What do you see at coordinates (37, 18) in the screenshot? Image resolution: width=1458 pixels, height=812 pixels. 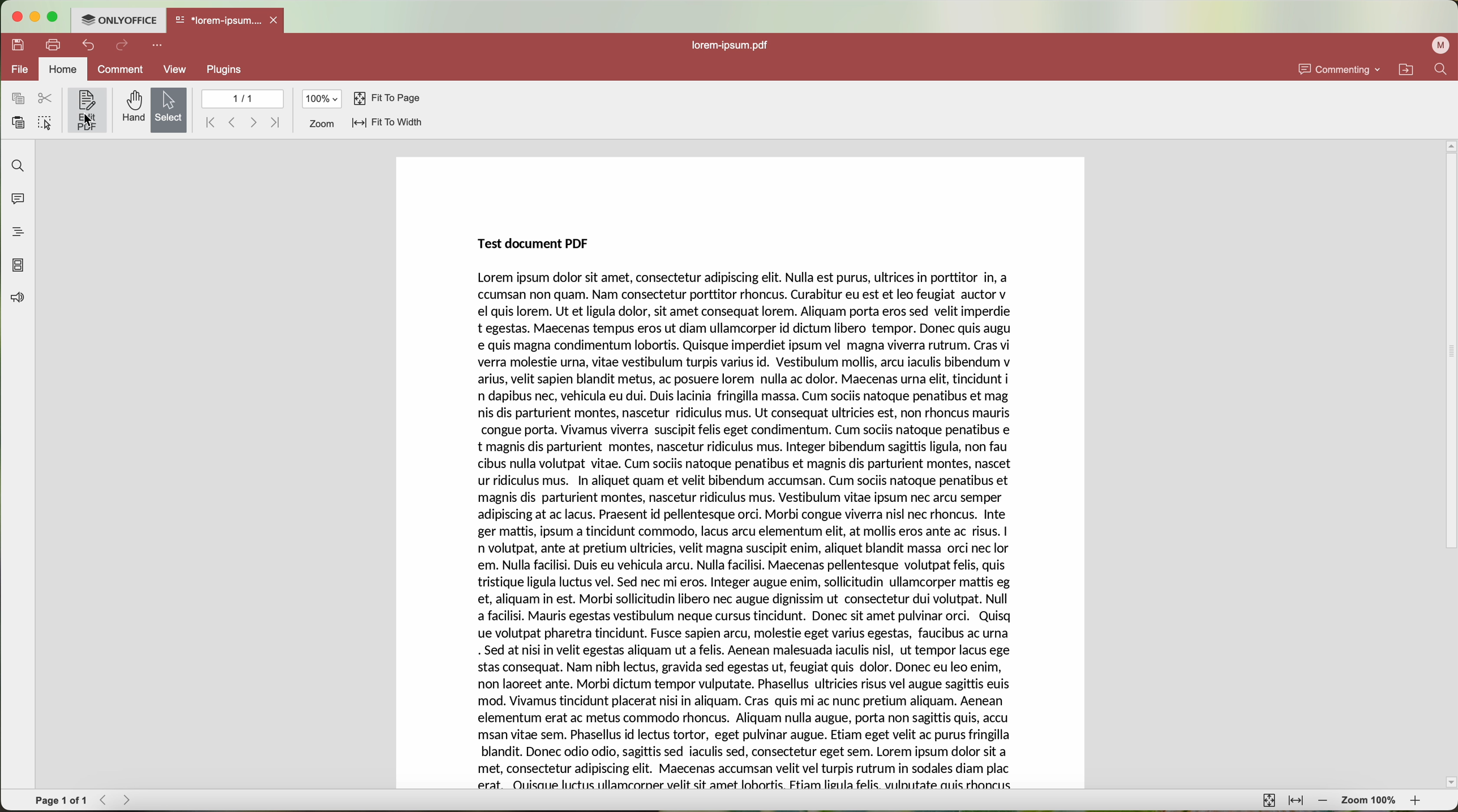 I see `minimize` at bounding box center [37, 18].